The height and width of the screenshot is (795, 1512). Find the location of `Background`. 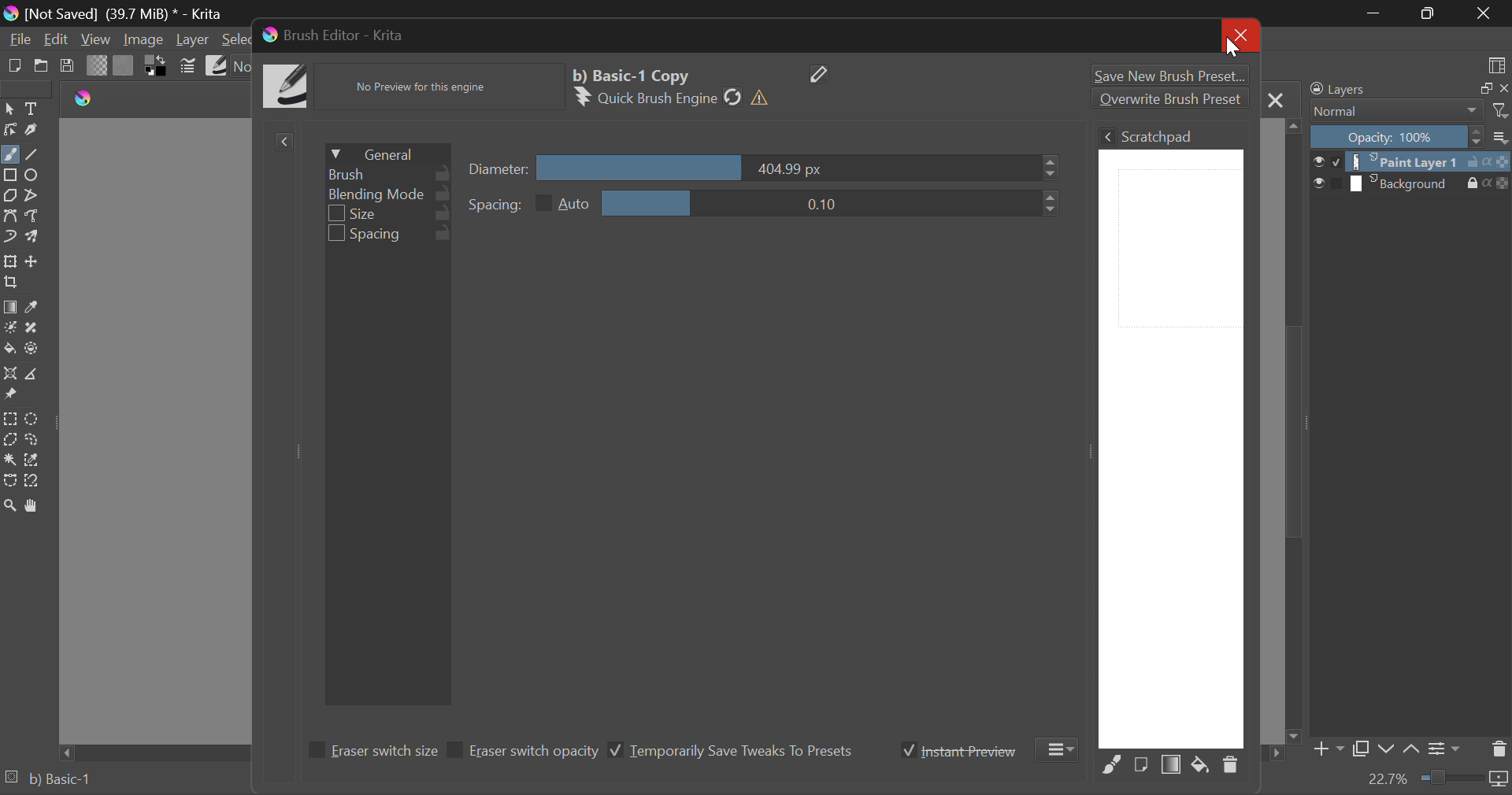

Background is located at coordinates (1411, 183).